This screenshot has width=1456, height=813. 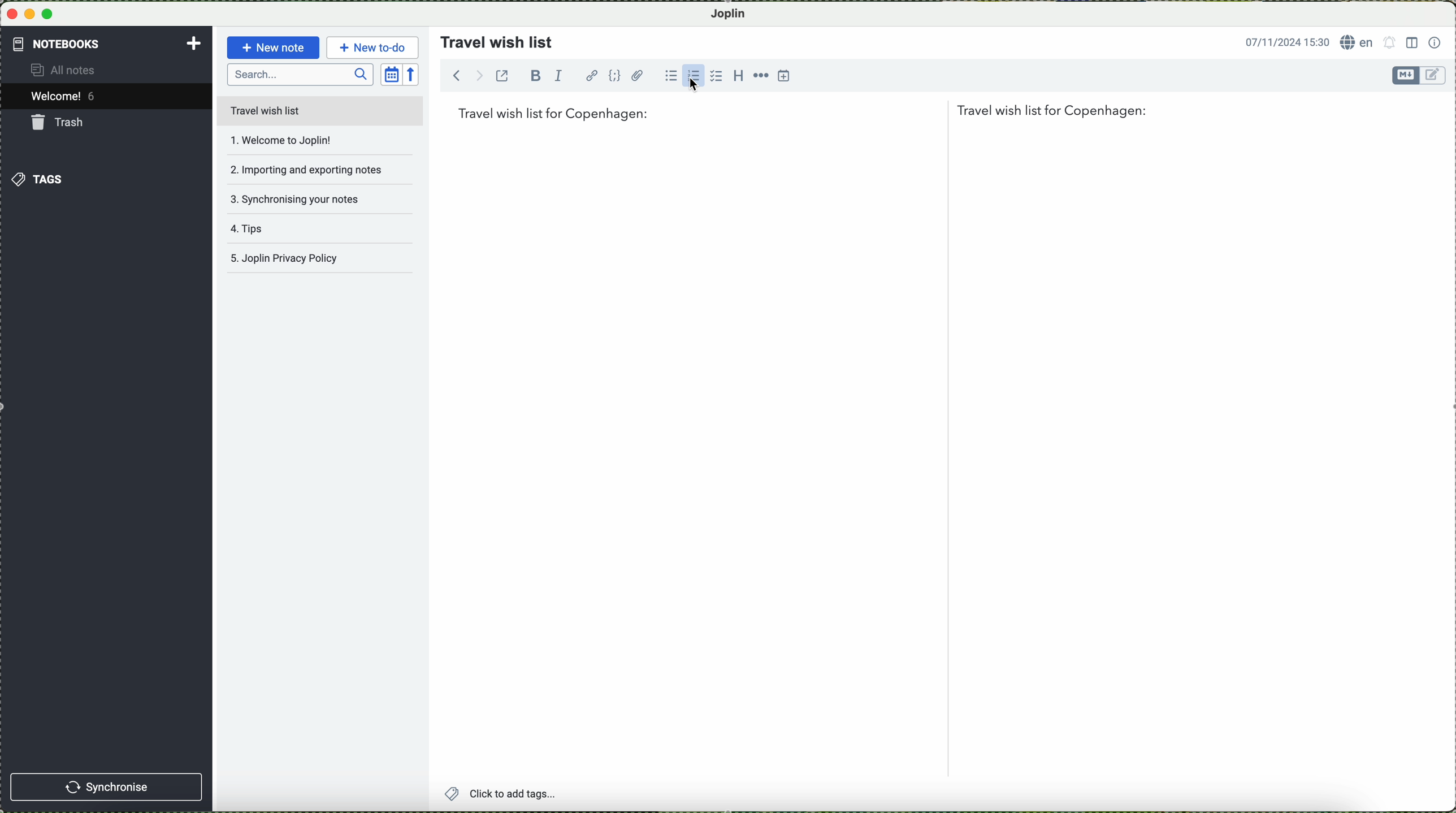 What do you see at coordinates (372, 46) in the screenshot?
I see `new to-do` at bounding box center [372, 46].